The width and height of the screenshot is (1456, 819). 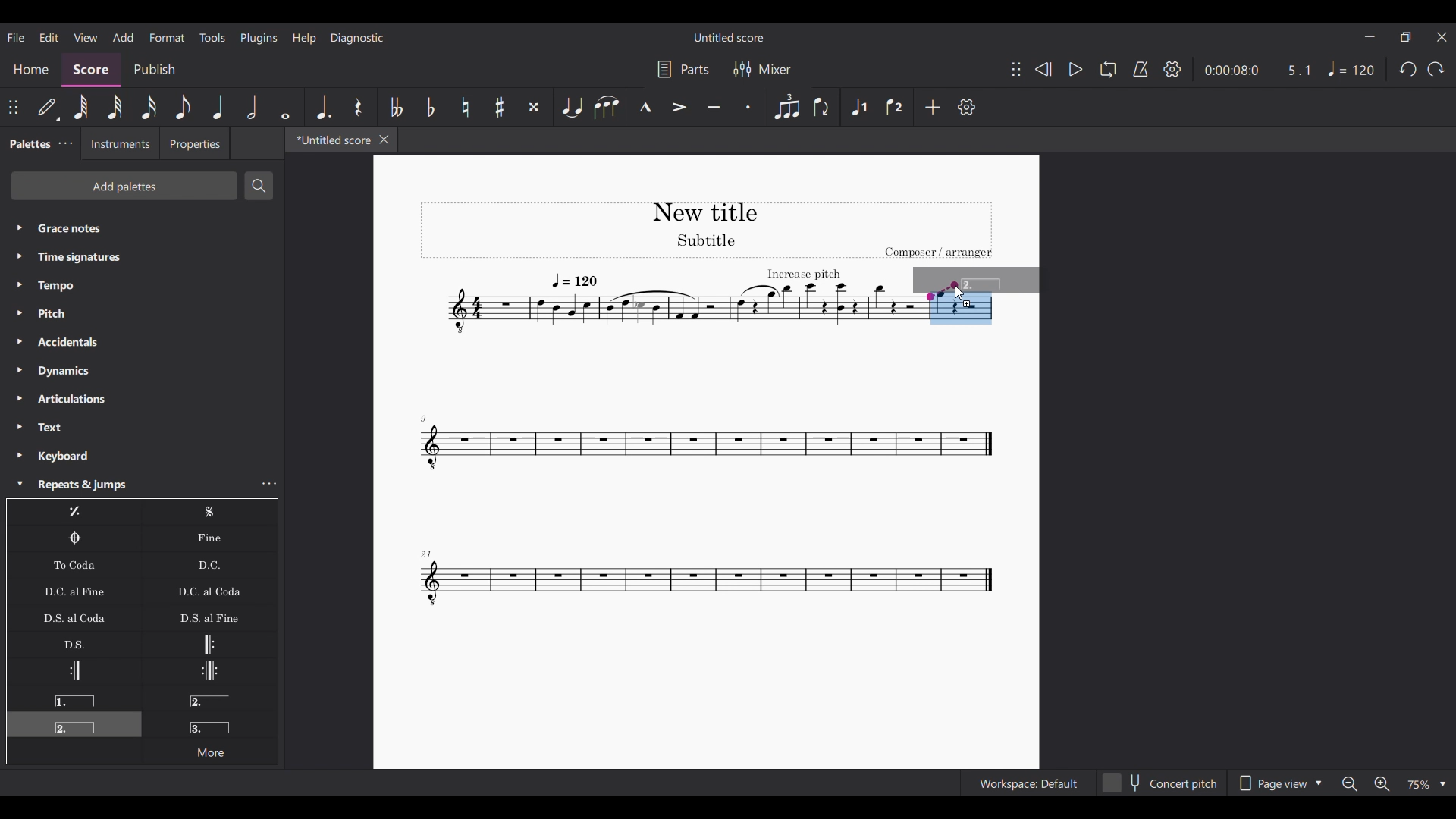 What do you see at coordinates (748, 107) in the screenshot?
I see `Staccato` at bounding box center [748, 107].